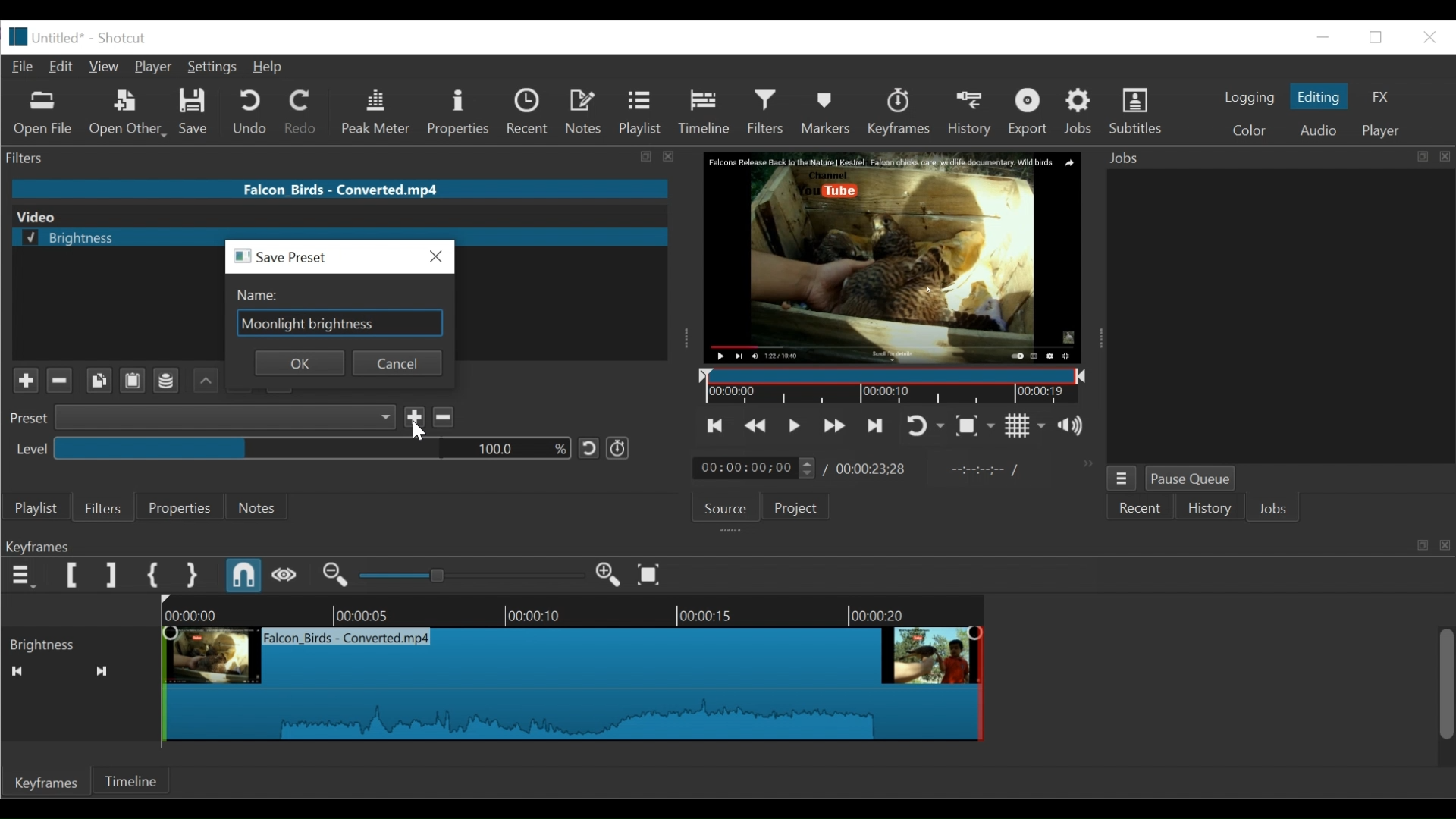 This screenshot has height=819, width=1456. Describe the element at coordinates (422, 434) in the screenshot. I see `Cursor` at that location.